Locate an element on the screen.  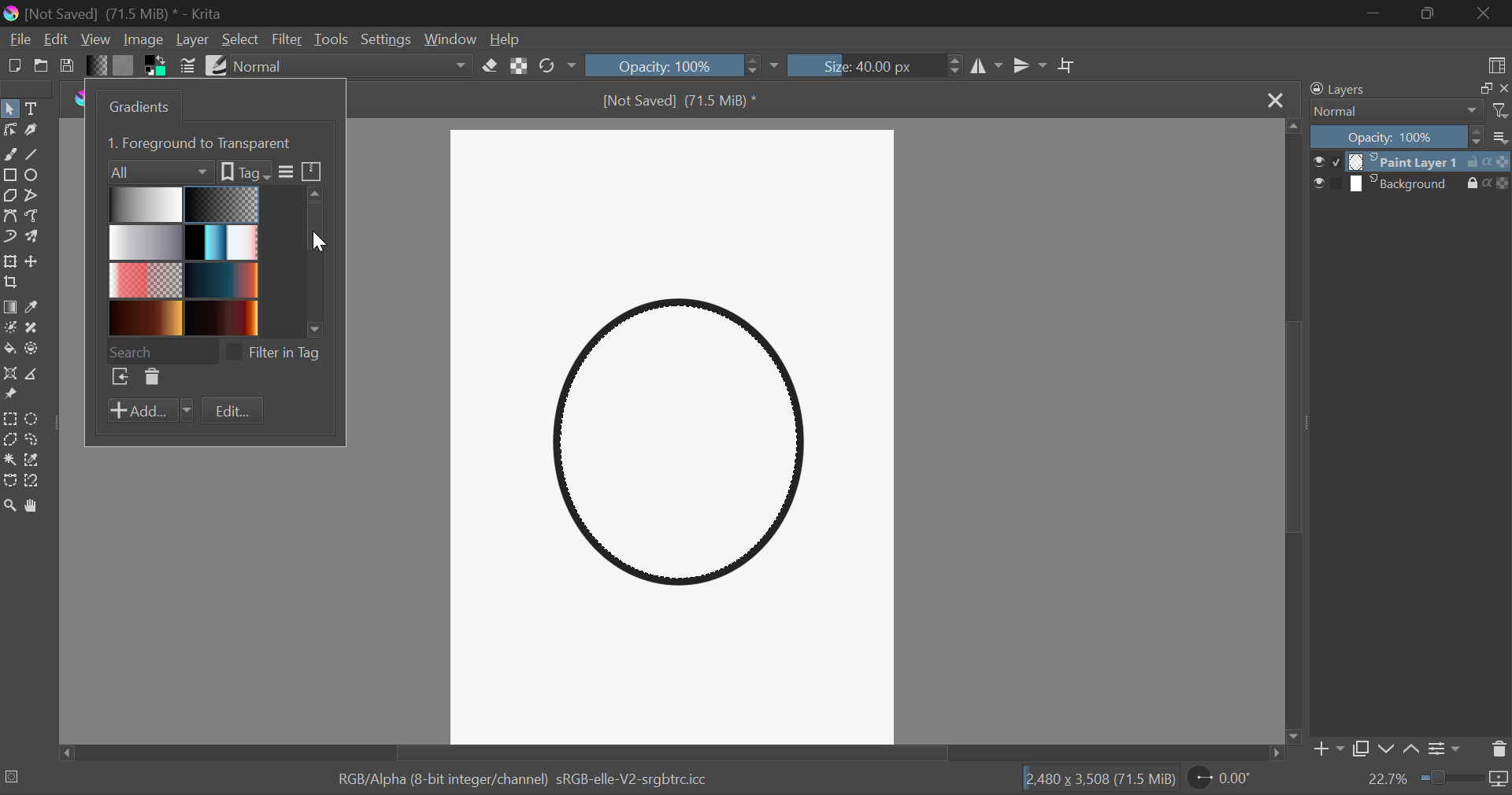
Normal is located at coordinates (1395, 112).